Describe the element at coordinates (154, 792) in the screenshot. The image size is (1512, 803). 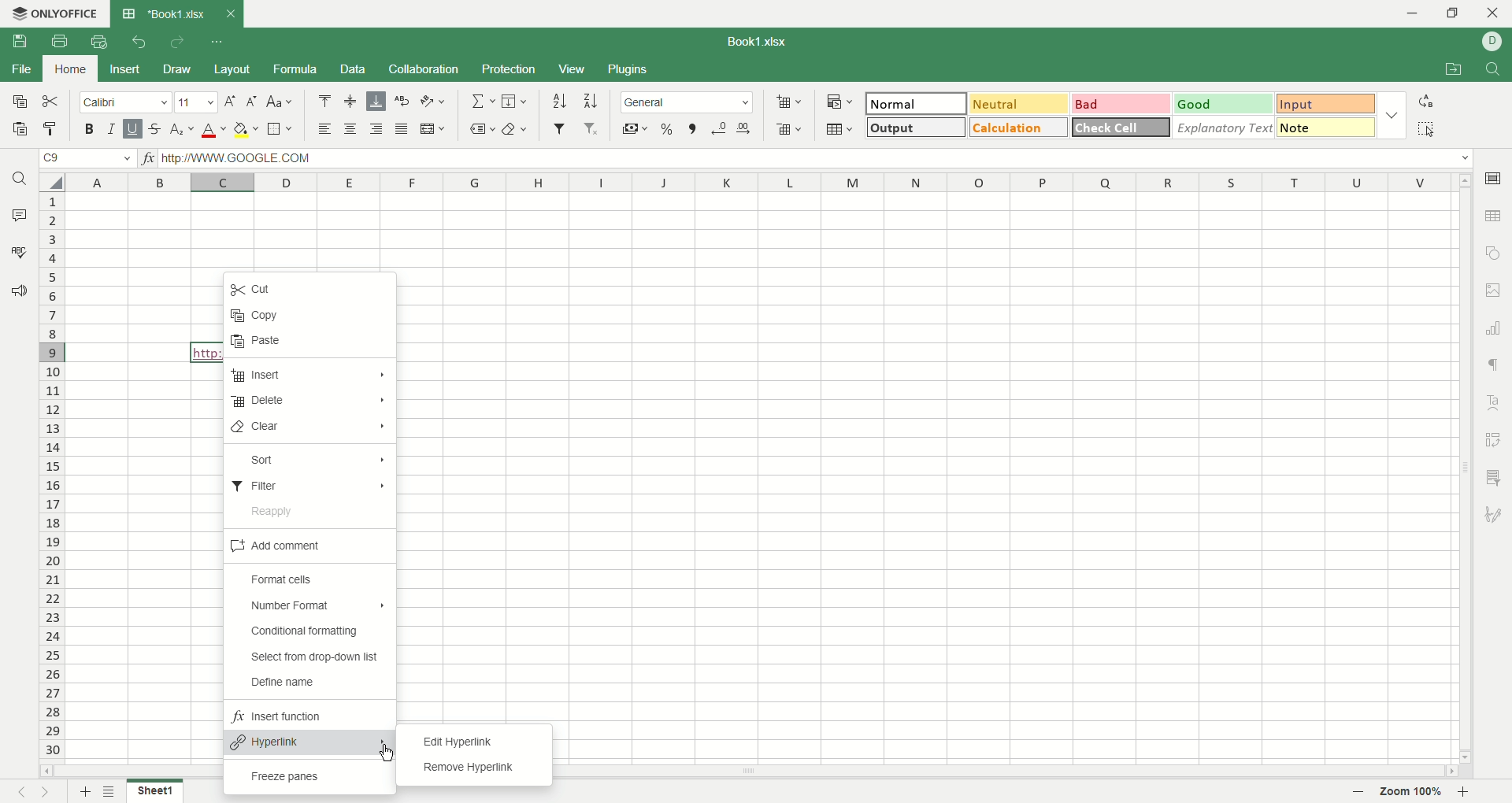
I see `sheet` at that location.